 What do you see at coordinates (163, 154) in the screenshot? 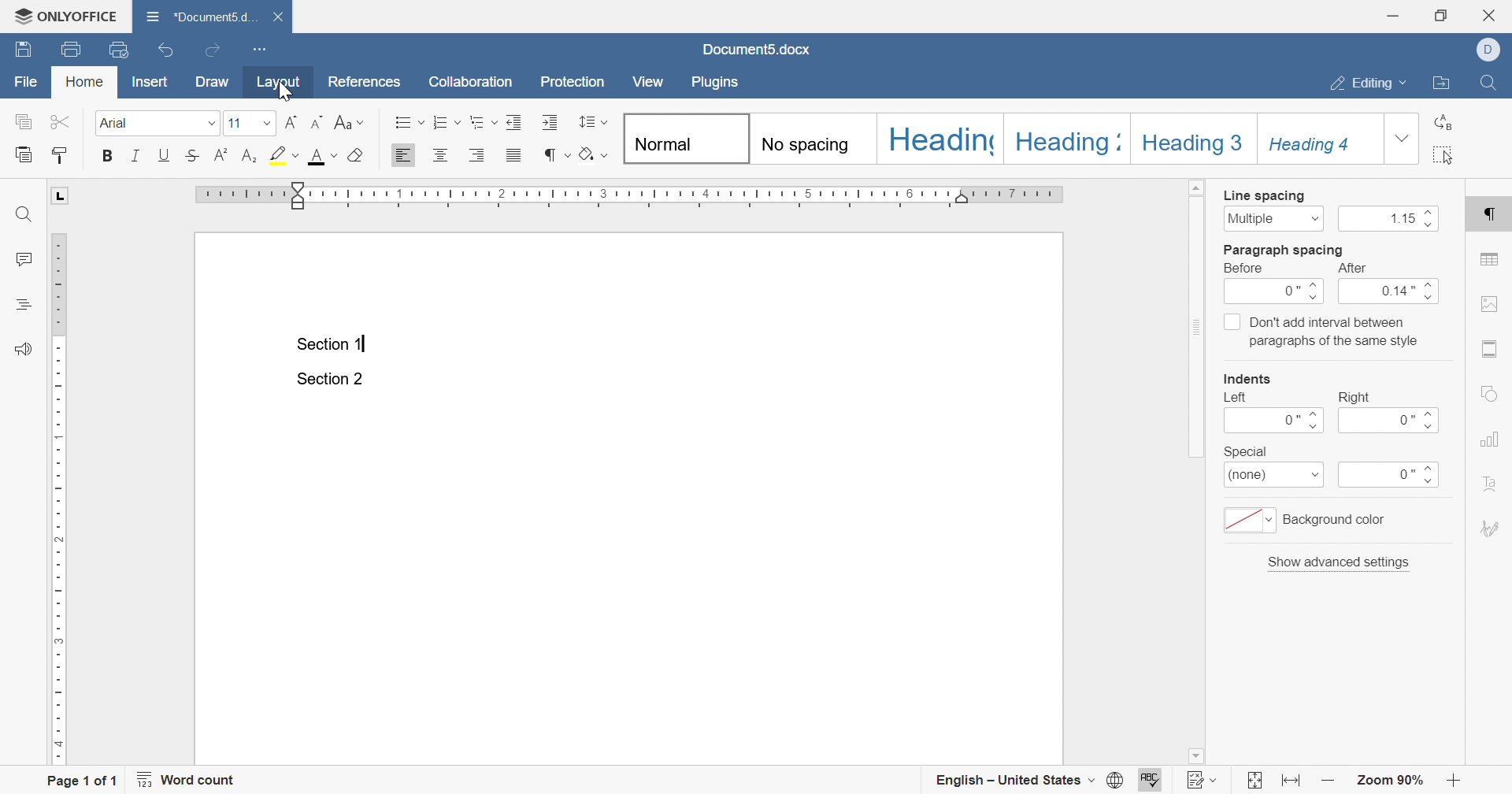
I see `underline` at bounding box center [163, 154].